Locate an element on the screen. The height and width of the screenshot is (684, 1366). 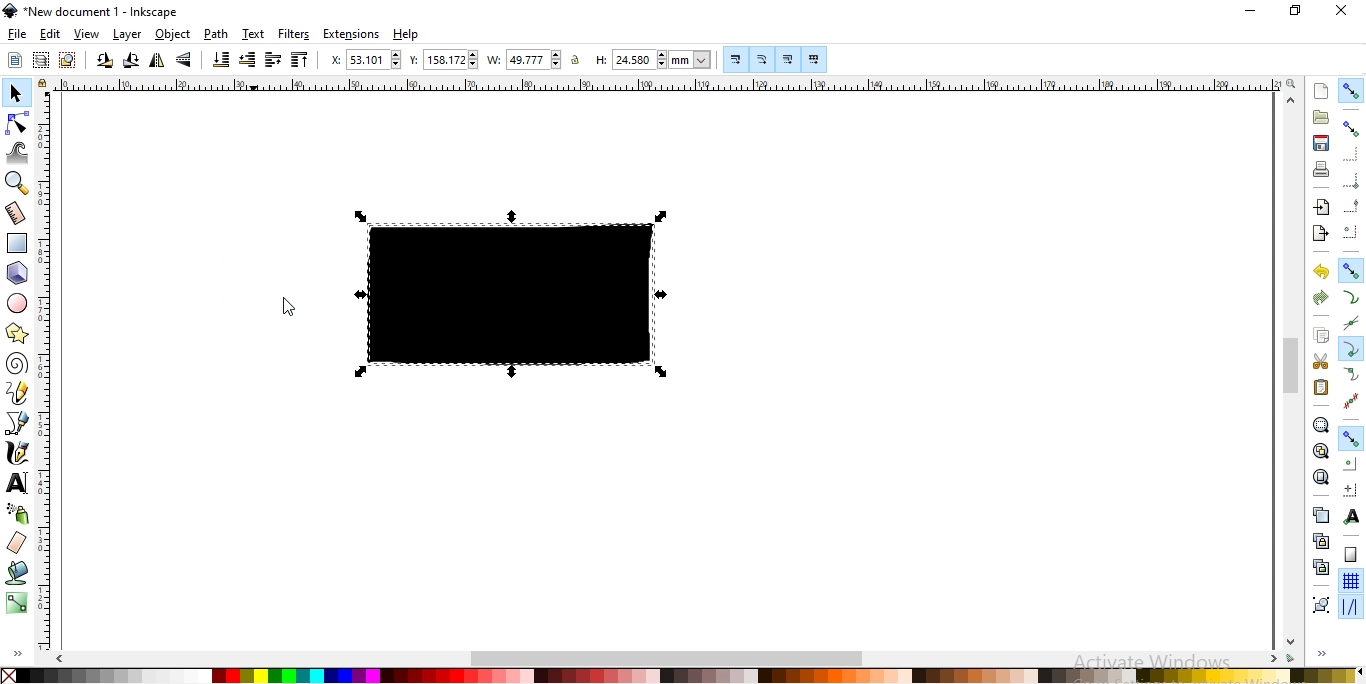
snap to grids is located at coordinates (1351, 580).